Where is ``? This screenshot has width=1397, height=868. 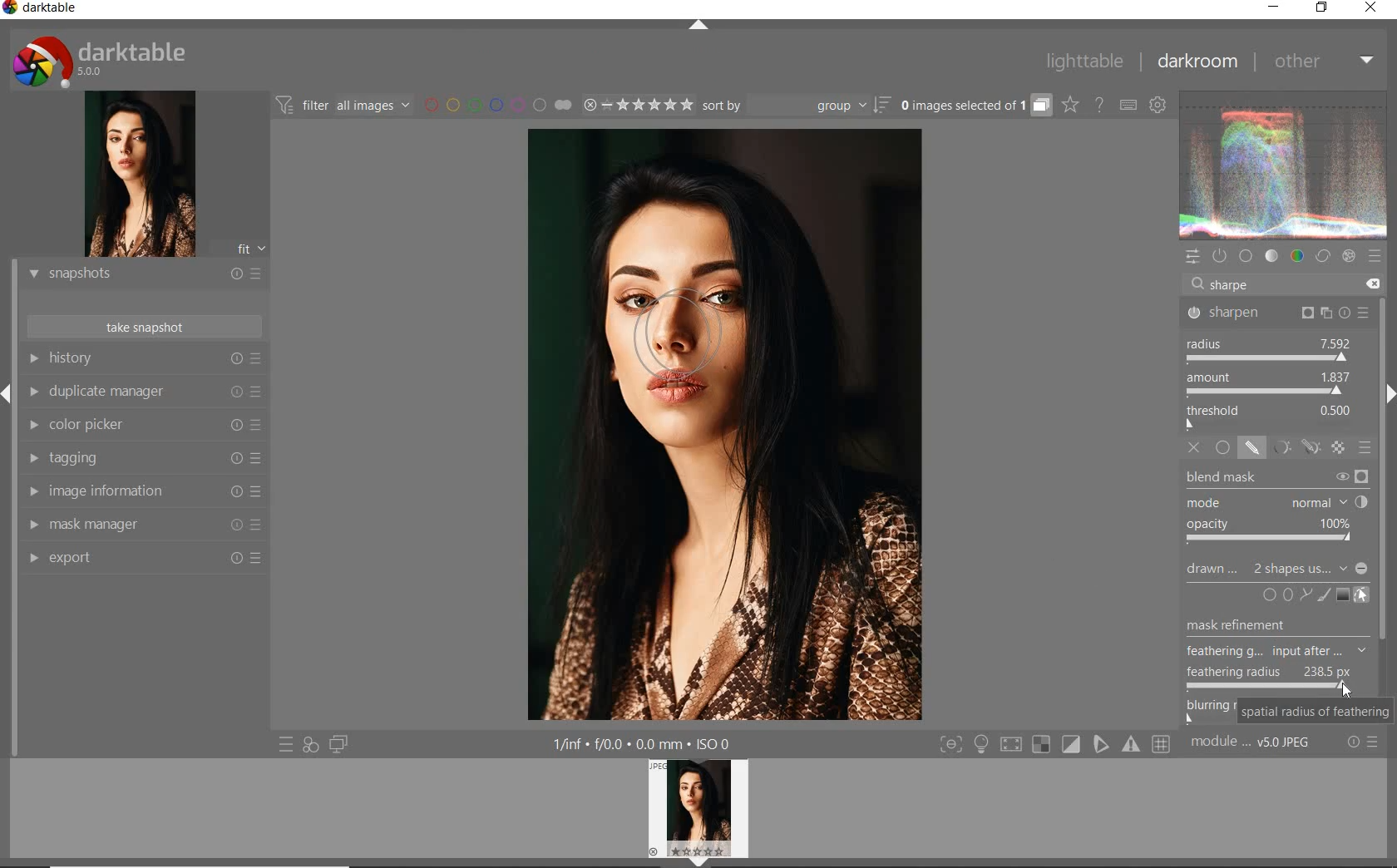  is located at coordinates (1277, 651).